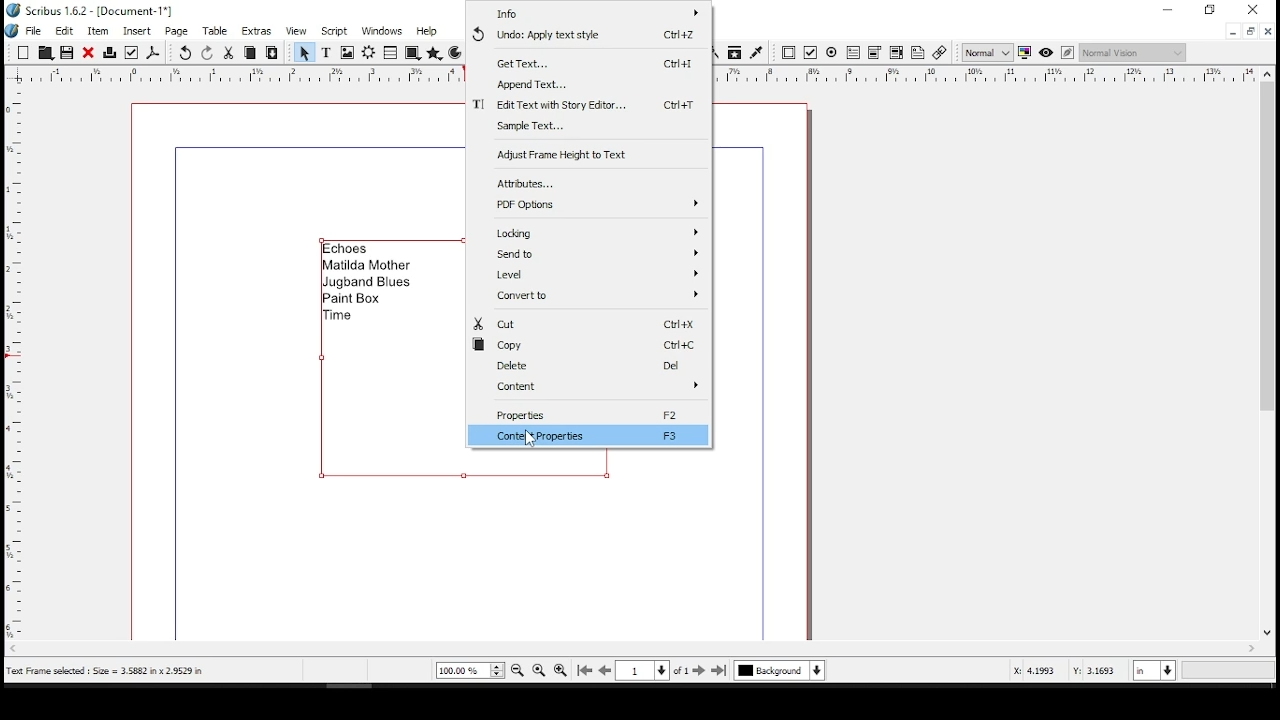 This screenshot has height=720, width=1280. Describe the element at coordinates (918, 52) in the screenshot. I see `text annotation` at that location.